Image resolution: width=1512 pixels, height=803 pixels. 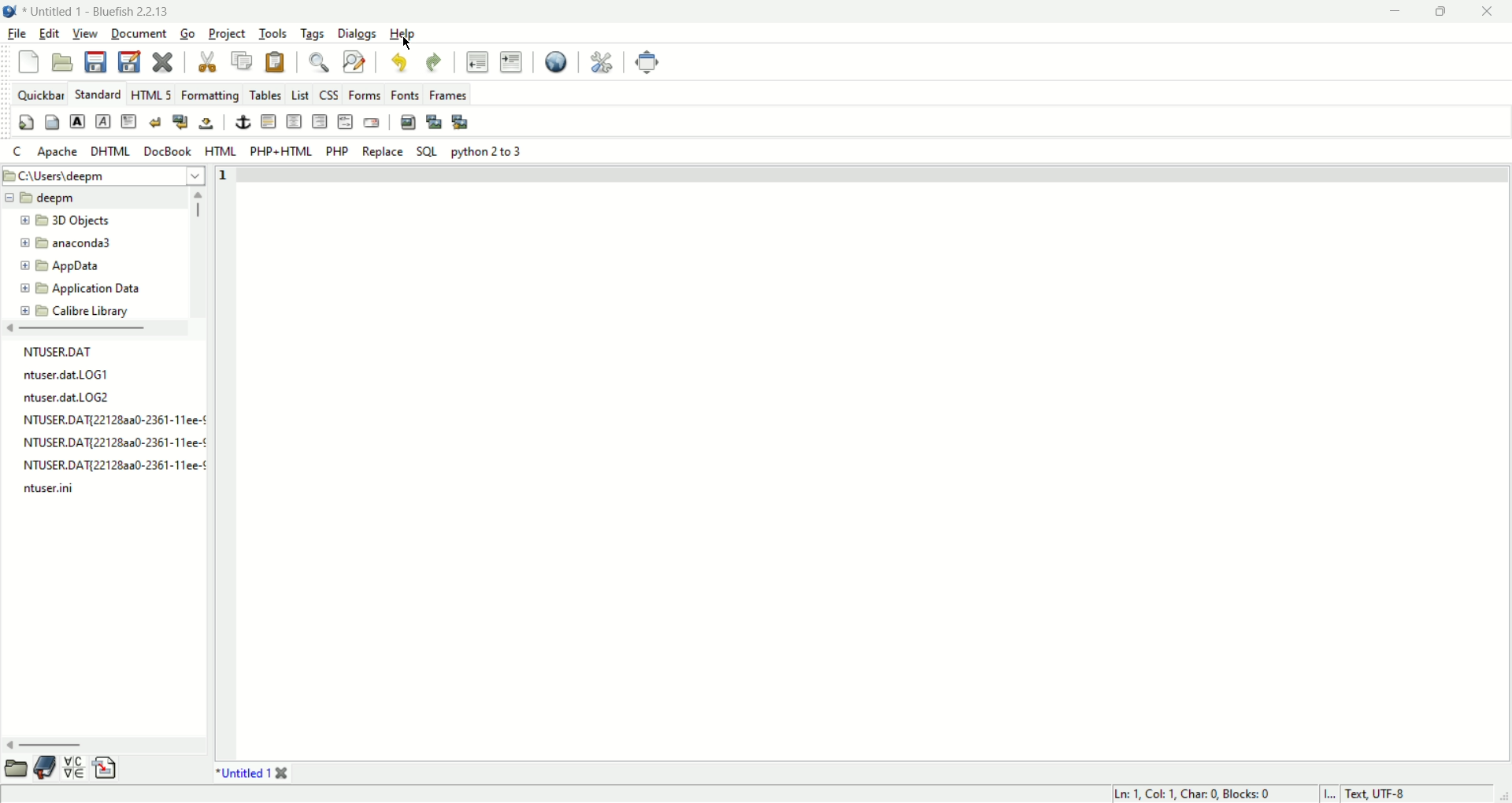 What do you see at coordinates (156, 123) in the screenshot?
I see `break` at bounding box center [156, 123].